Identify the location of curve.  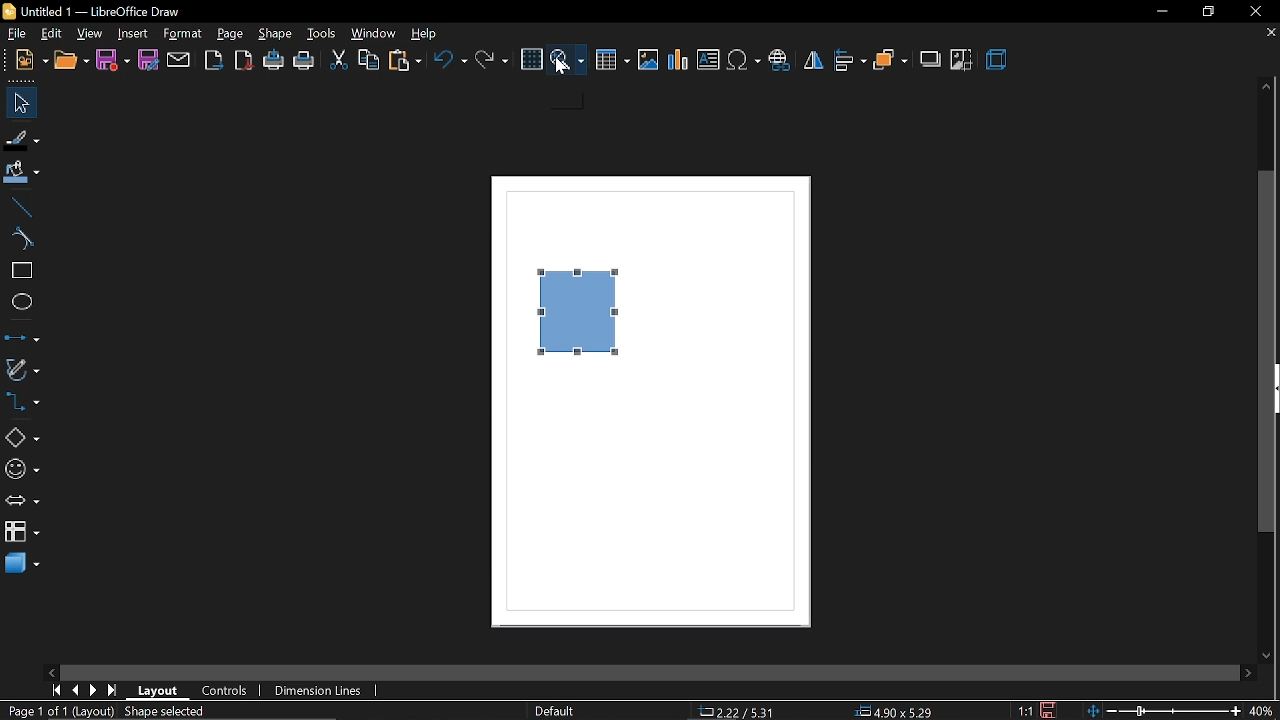
(18, 240).